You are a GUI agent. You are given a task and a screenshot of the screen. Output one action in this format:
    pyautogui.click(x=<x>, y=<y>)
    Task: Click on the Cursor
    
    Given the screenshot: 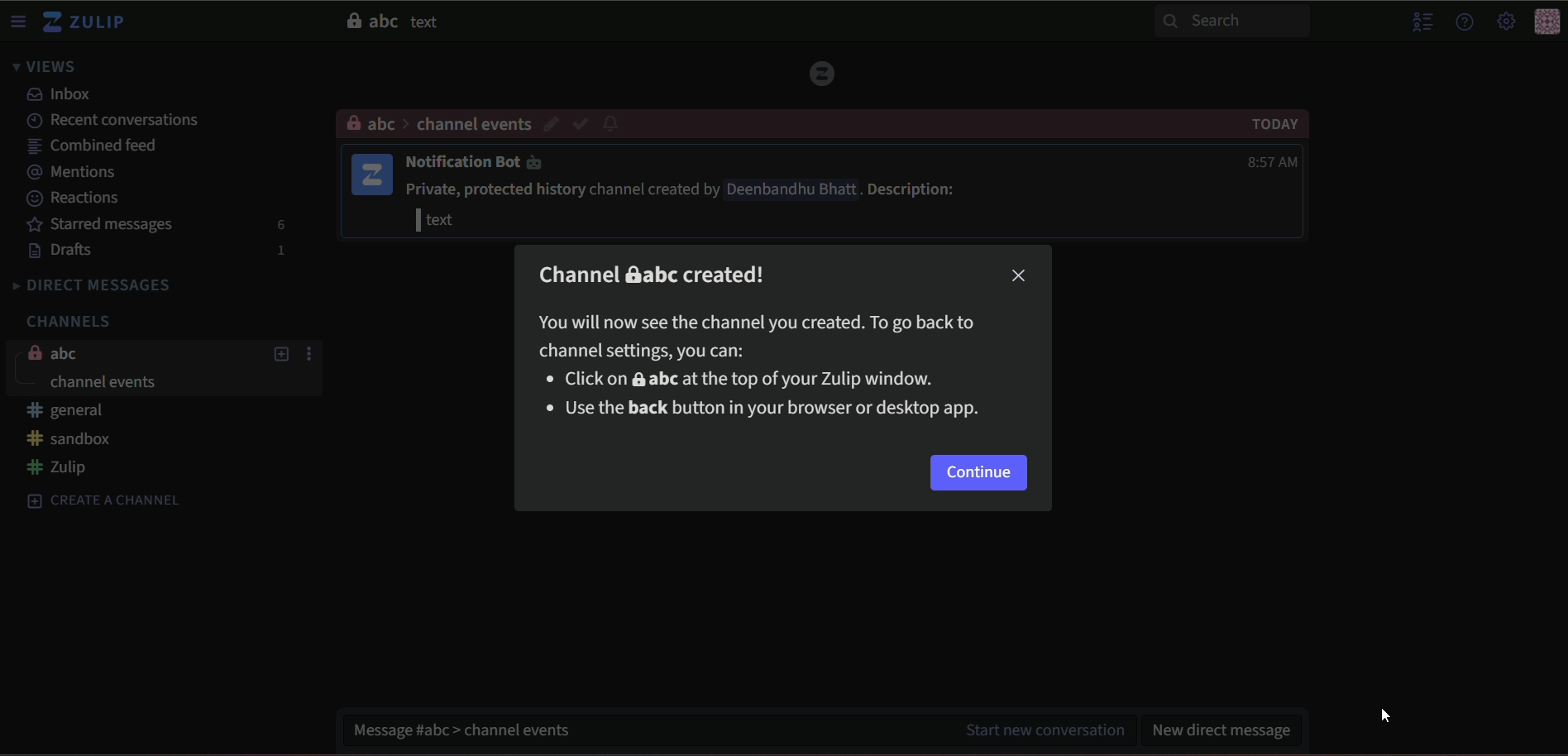 What is the action you would take?
    pyautogui.click(x=1386, y=715)
    